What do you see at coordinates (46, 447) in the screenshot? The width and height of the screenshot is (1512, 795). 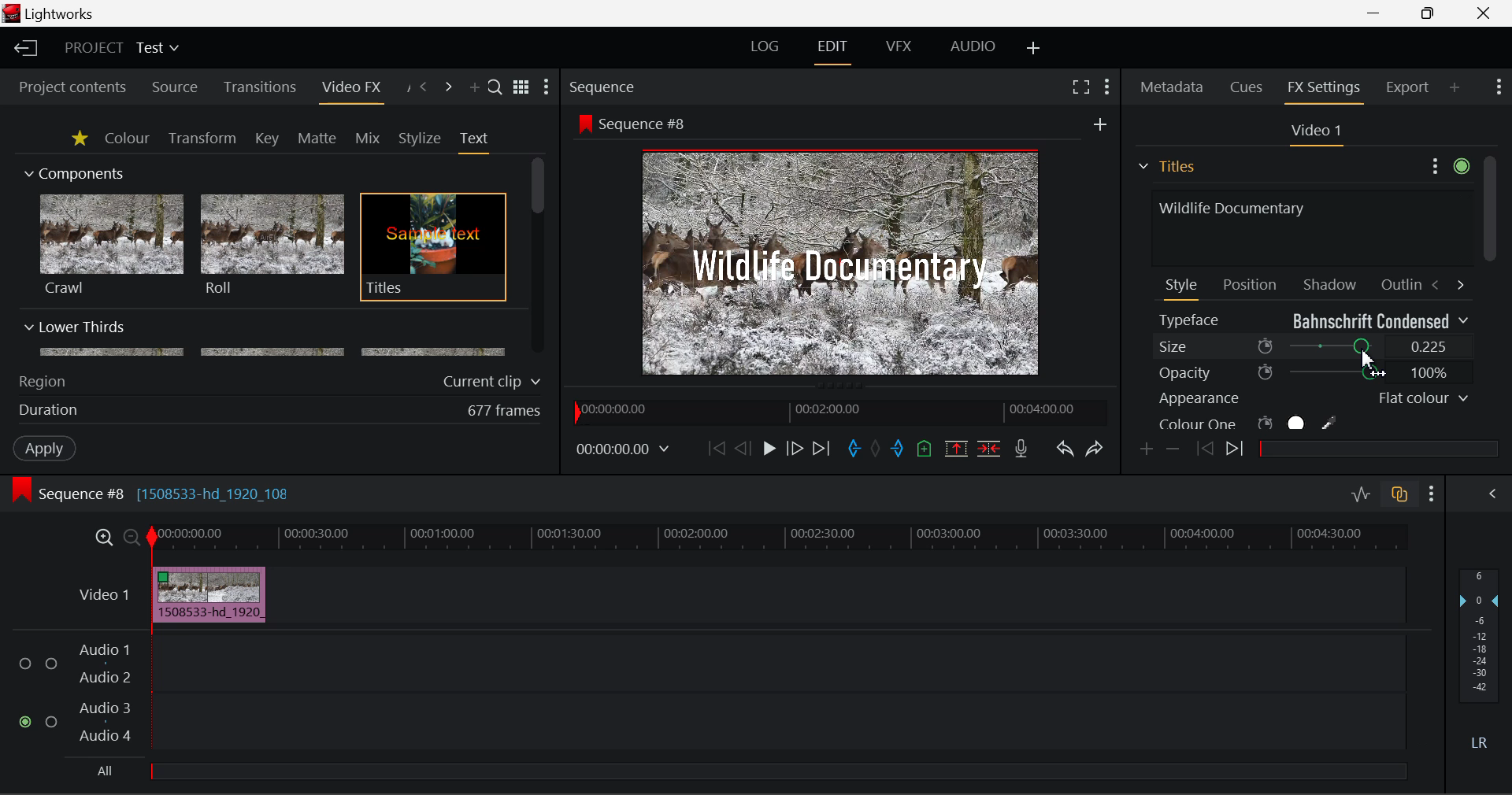 I see `Apply` at bounding box center [46, 447].